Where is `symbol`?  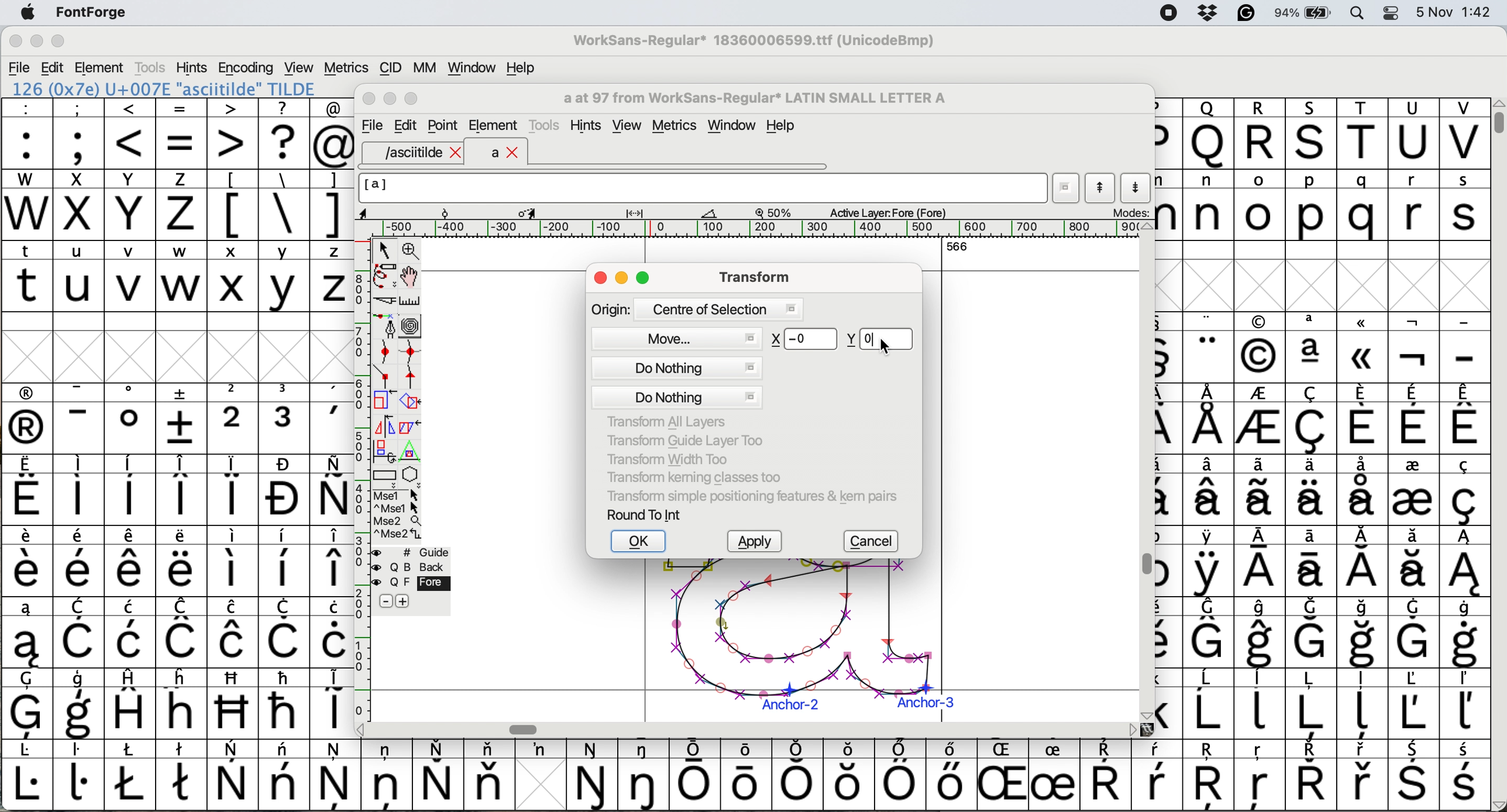 symbol is located at coordinates (646, 775).